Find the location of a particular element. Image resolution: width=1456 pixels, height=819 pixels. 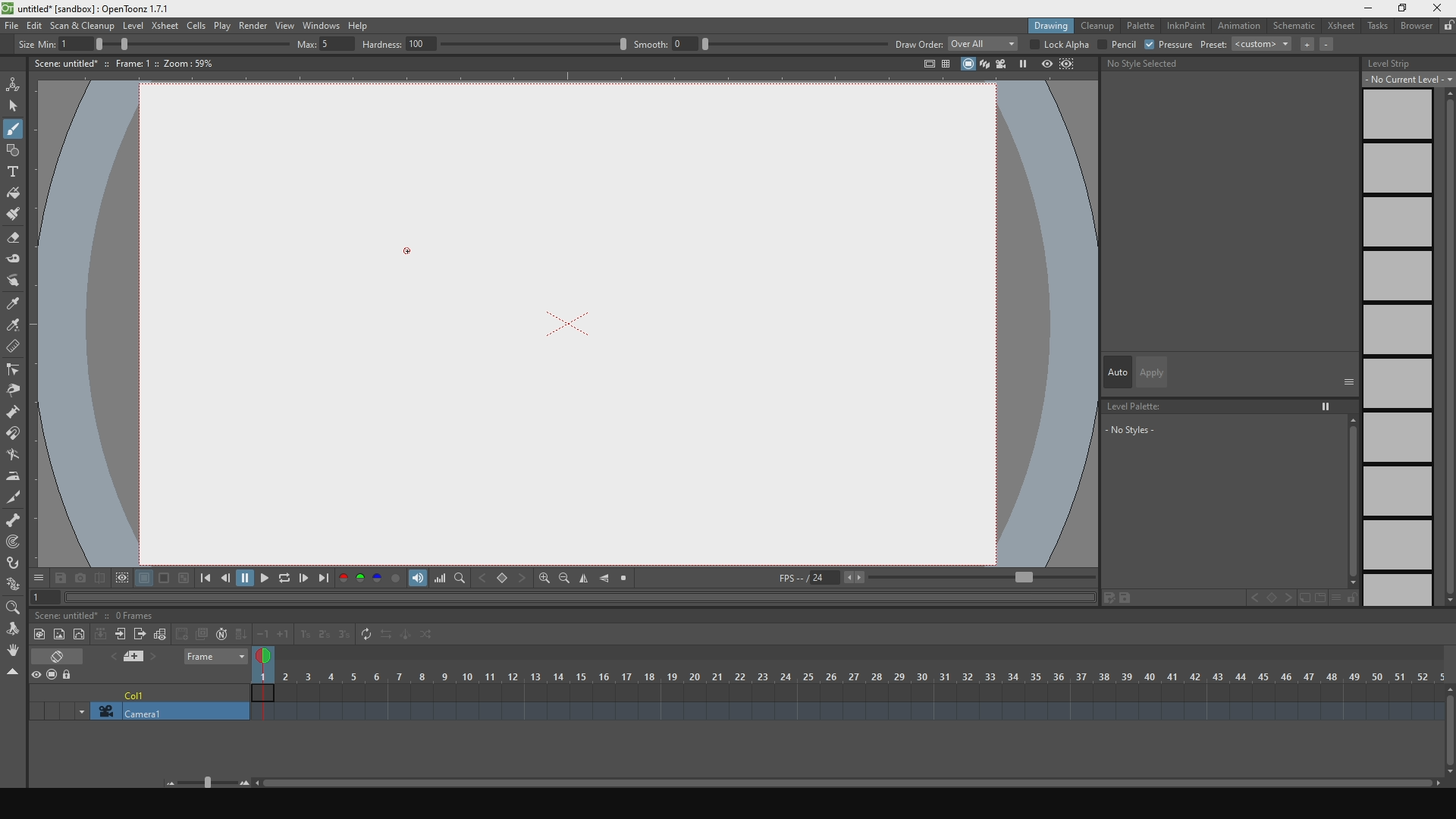

move is located at coordinates (17, 282).